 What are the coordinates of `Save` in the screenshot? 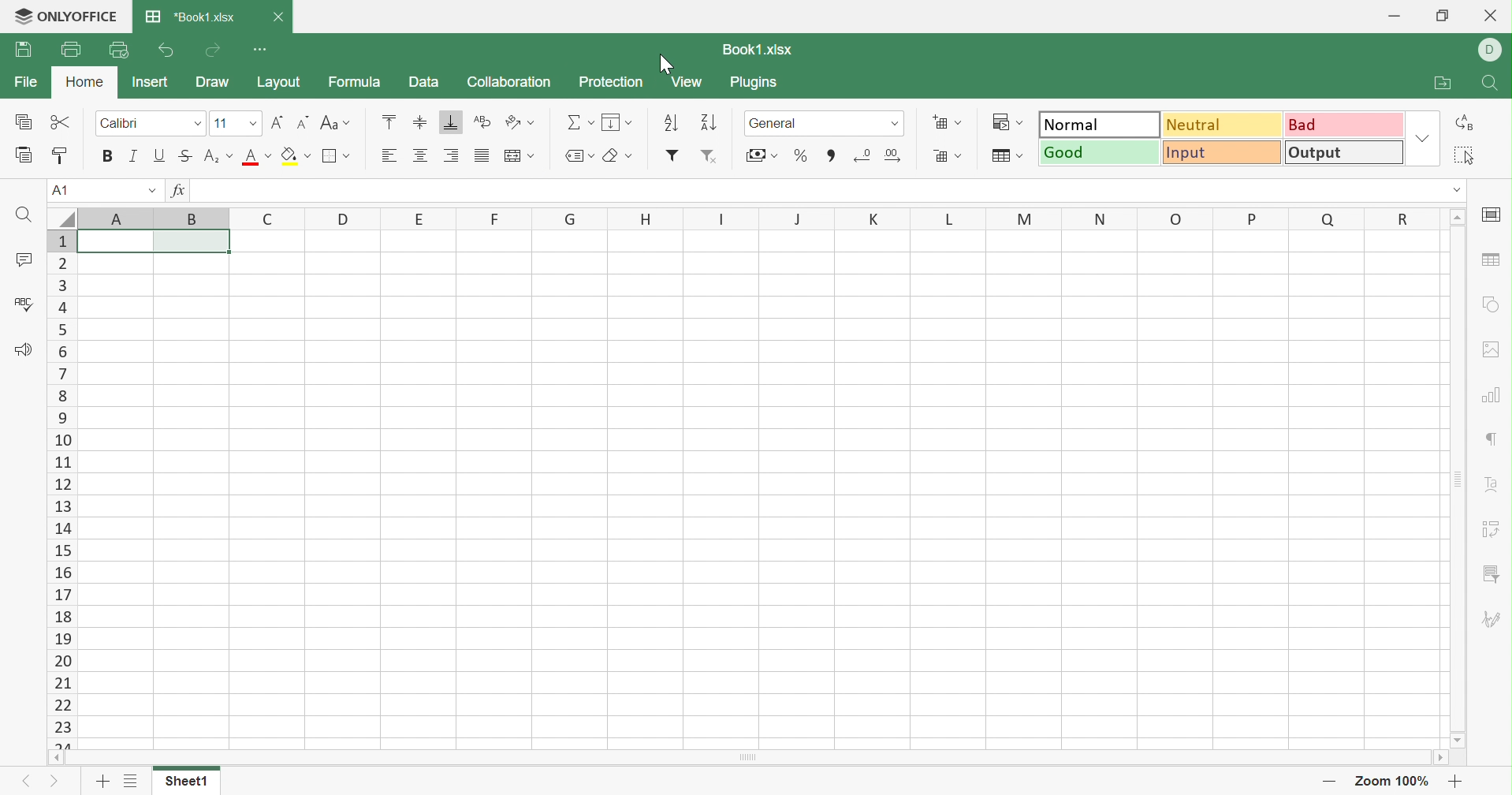 It's located at (26, 52).